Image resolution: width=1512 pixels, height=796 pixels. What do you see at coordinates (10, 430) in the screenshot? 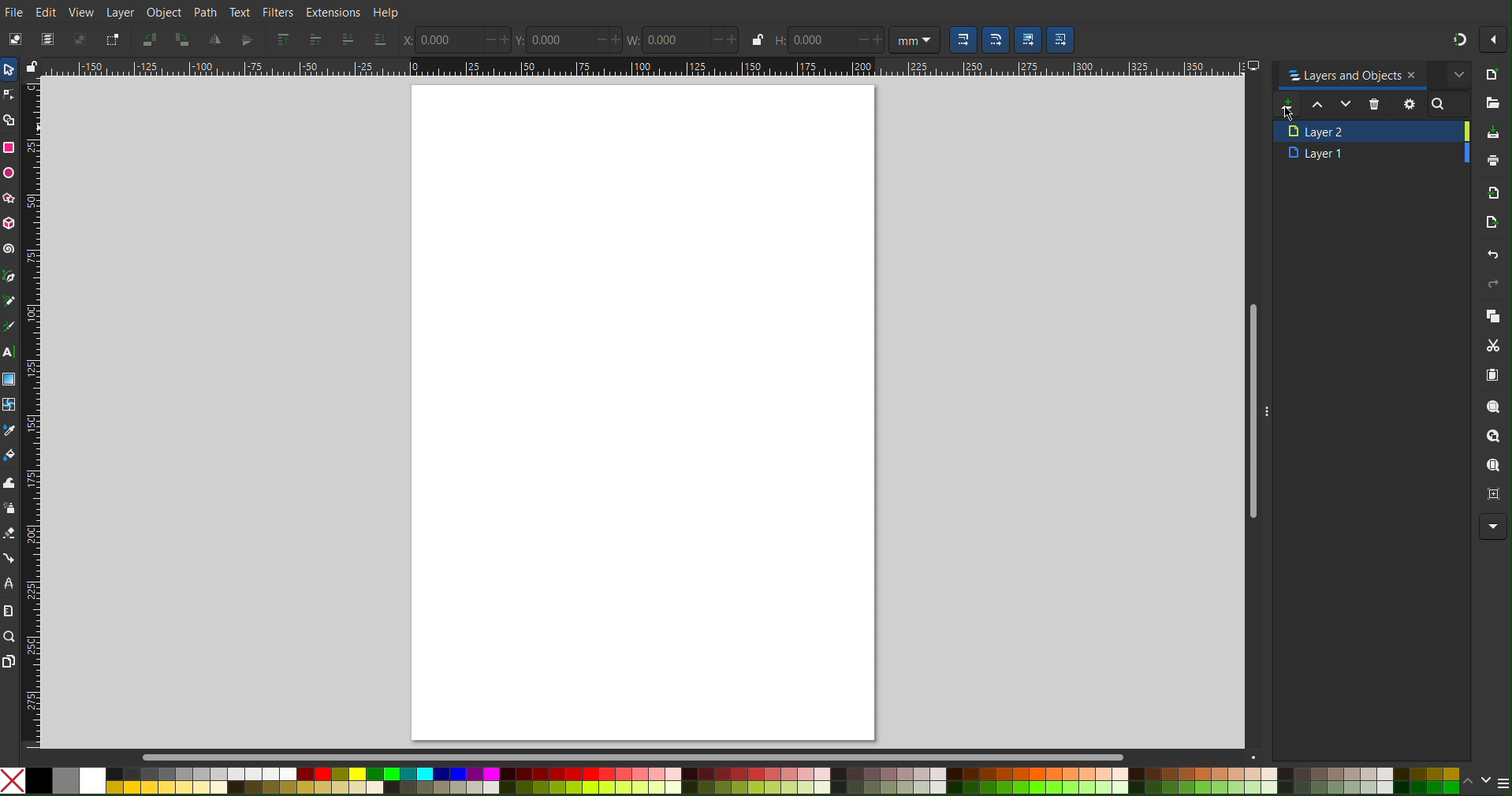
I see `Line Color` at bounding box center [10, 430].